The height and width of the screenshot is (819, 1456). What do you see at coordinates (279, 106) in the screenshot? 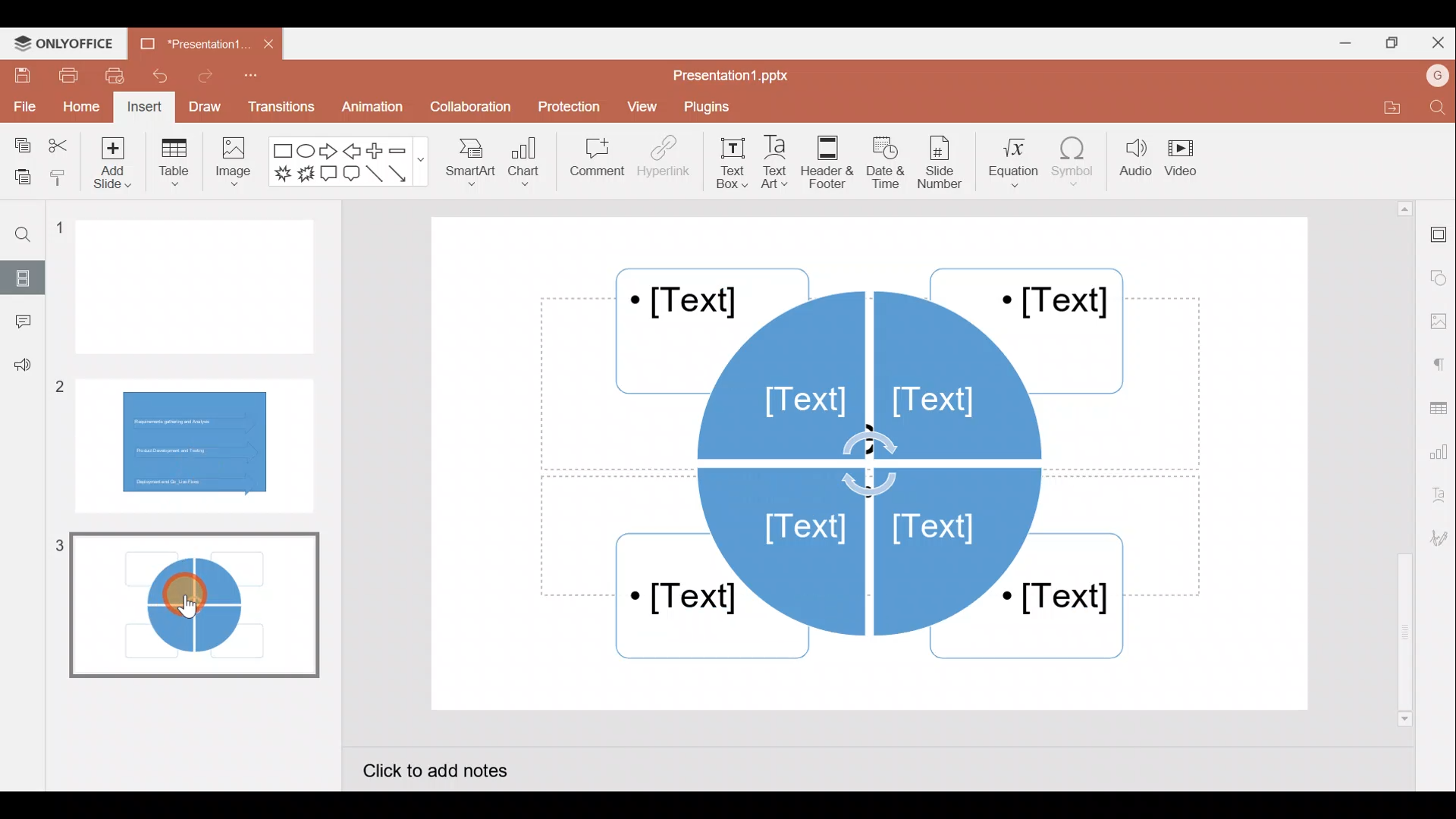
I see `Transitions` at bounding box center [279, 106].